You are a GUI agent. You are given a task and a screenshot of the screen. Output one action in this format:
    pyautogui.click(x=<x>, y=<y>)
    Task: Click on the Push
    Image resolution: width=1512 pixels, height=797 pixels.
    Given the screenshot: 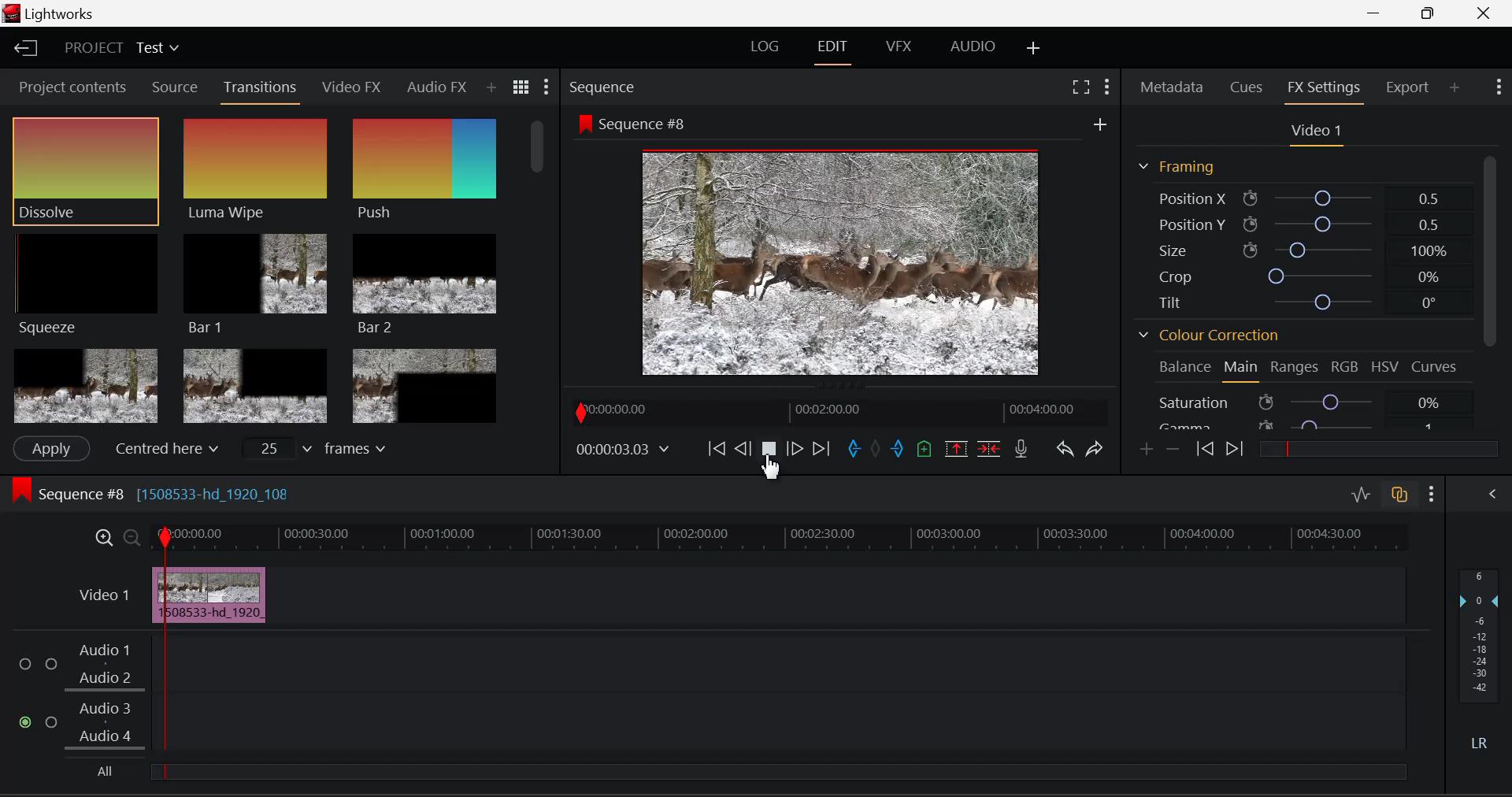 What is the action you would take?
    pyautogui.click(x=424, y=172)
    